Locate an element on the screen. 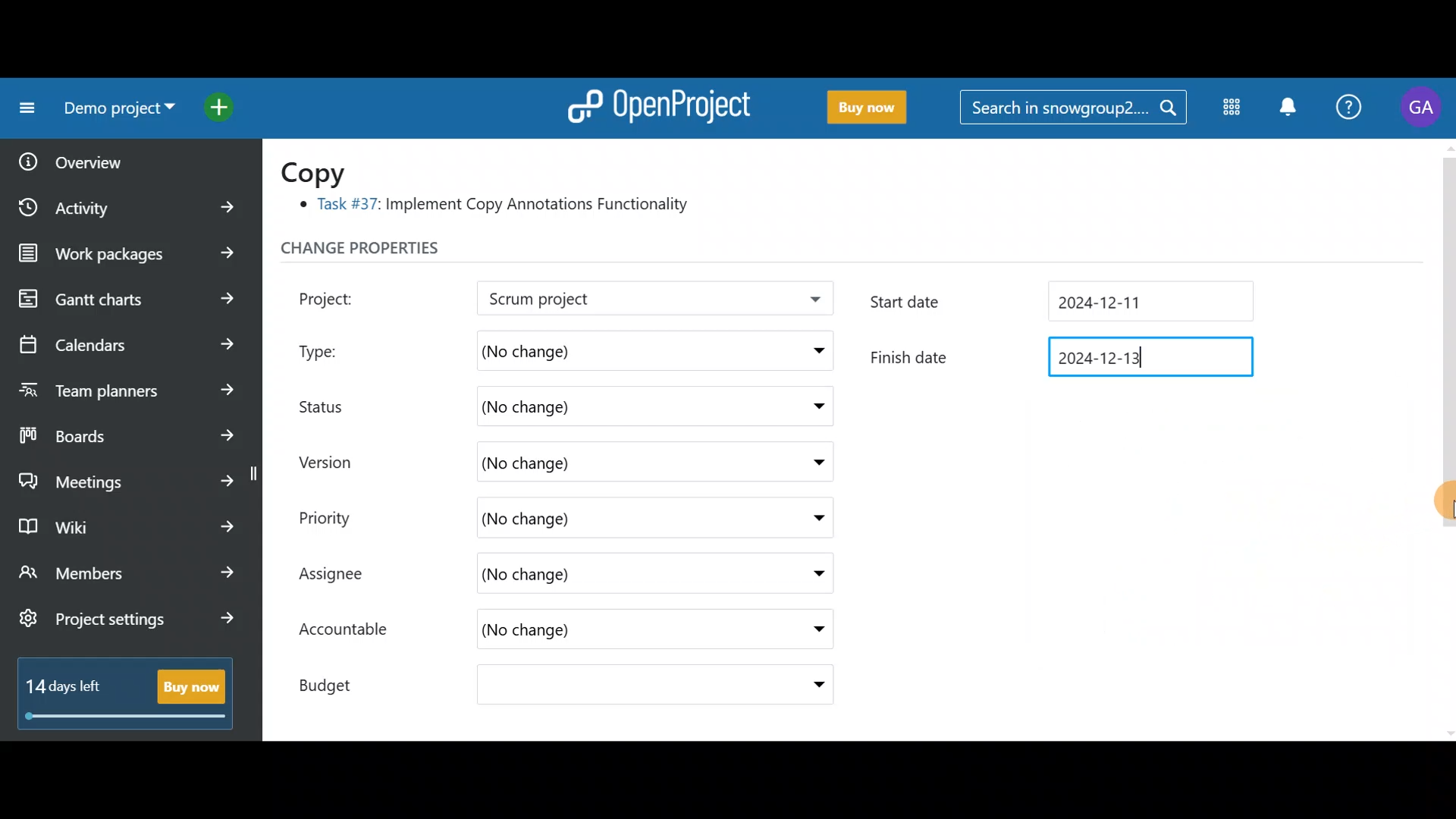  Accountable is located at coordinates (351, 631).